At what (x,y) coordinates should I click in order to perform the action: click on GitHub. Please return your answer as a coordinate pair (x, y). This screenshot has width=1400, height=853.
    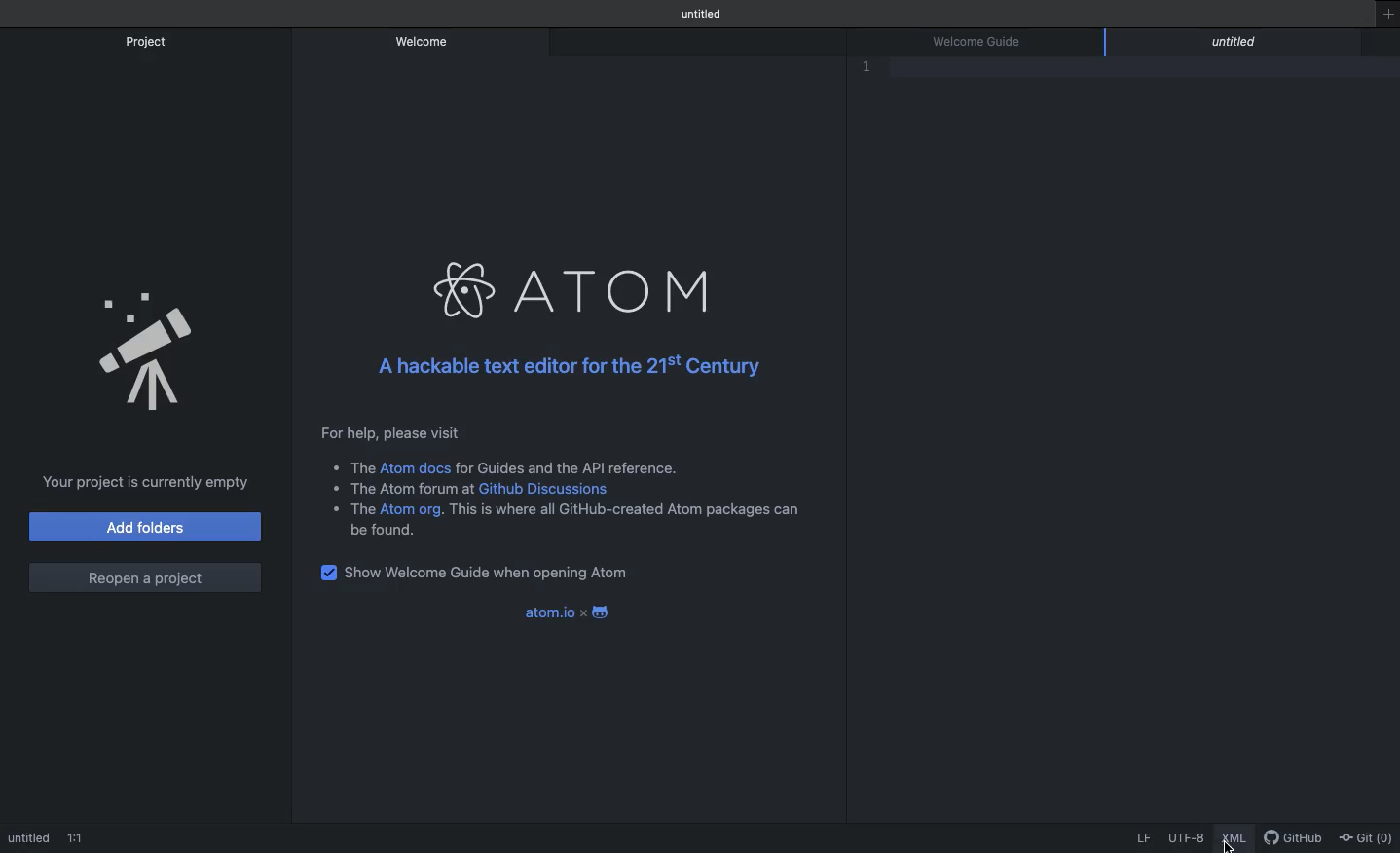
    Looking at the image, I should click on (1295, 834).